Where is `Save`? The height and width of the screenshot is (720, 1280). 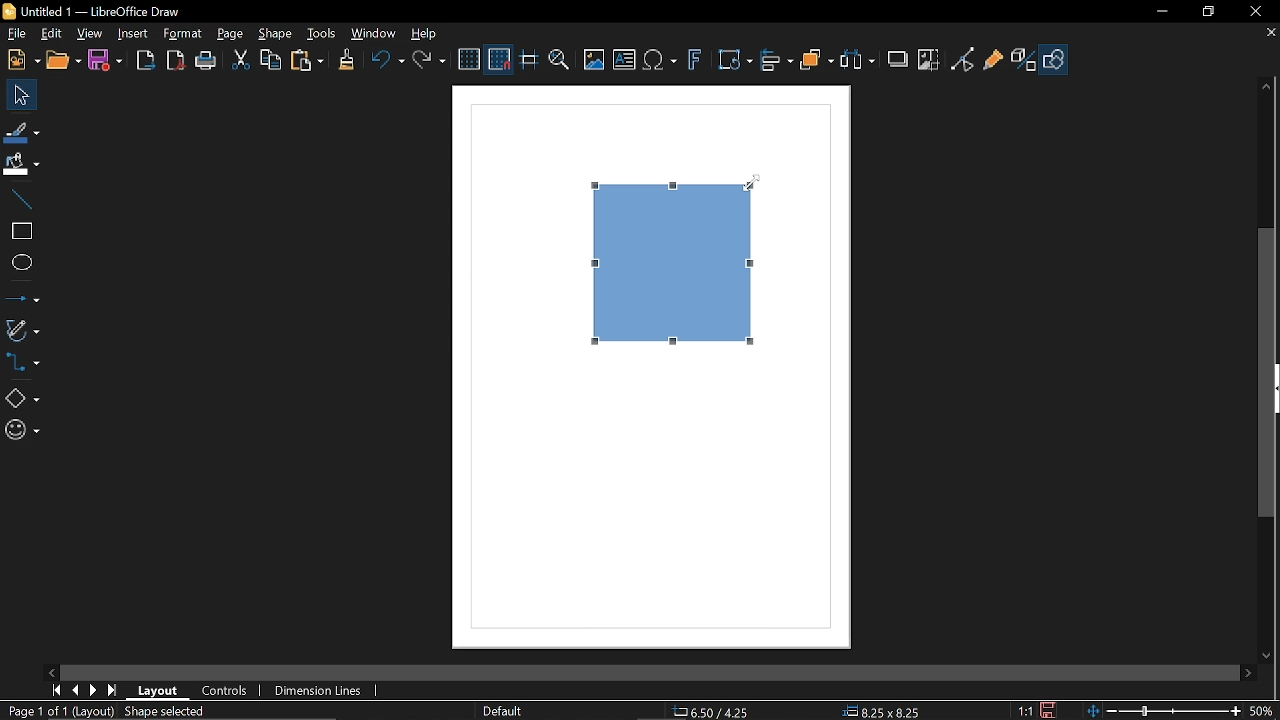
Save is located at coordinates (1050, 711).